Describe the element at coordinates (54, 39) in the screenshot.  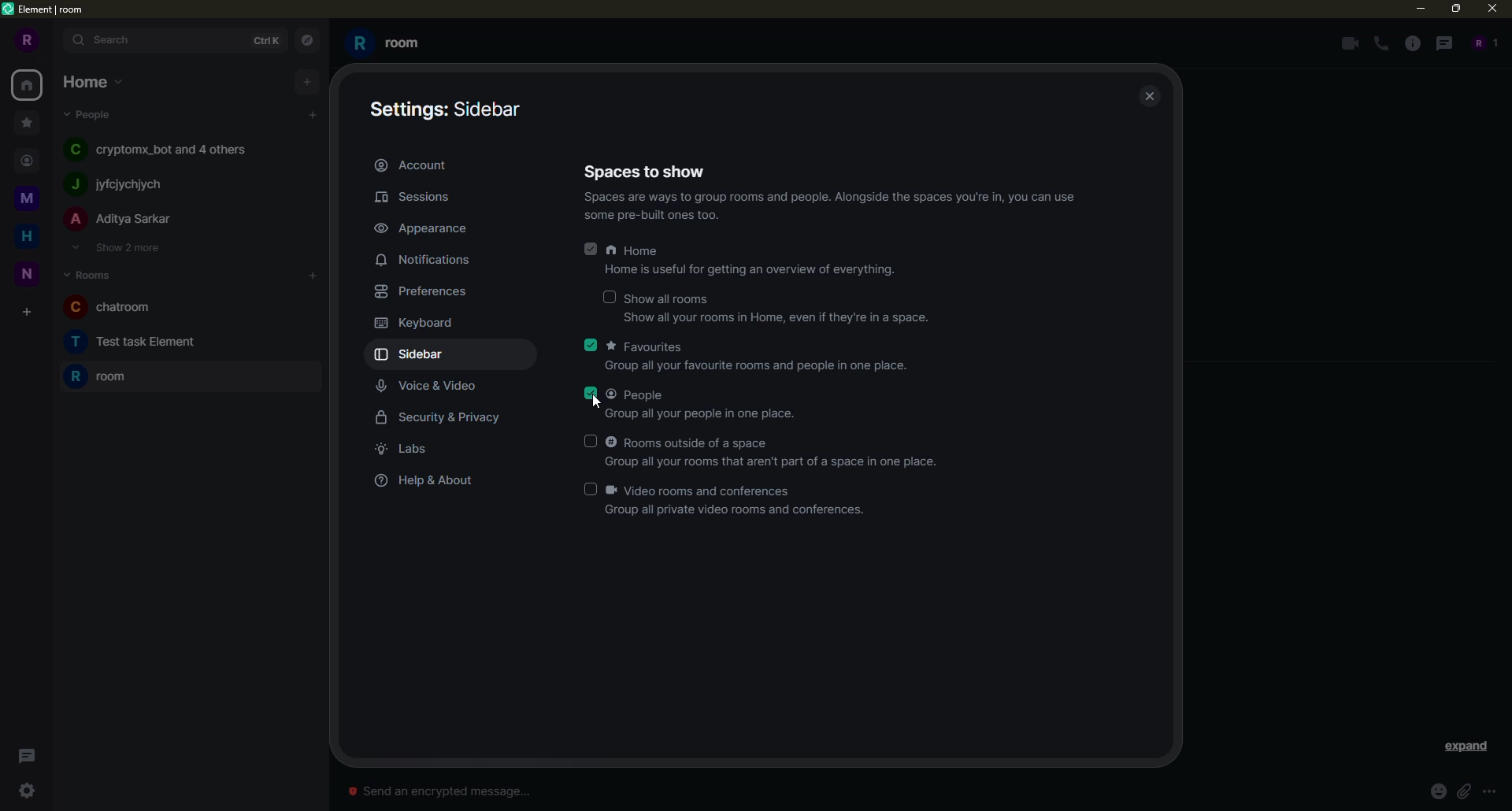
I see `expand` at that location.